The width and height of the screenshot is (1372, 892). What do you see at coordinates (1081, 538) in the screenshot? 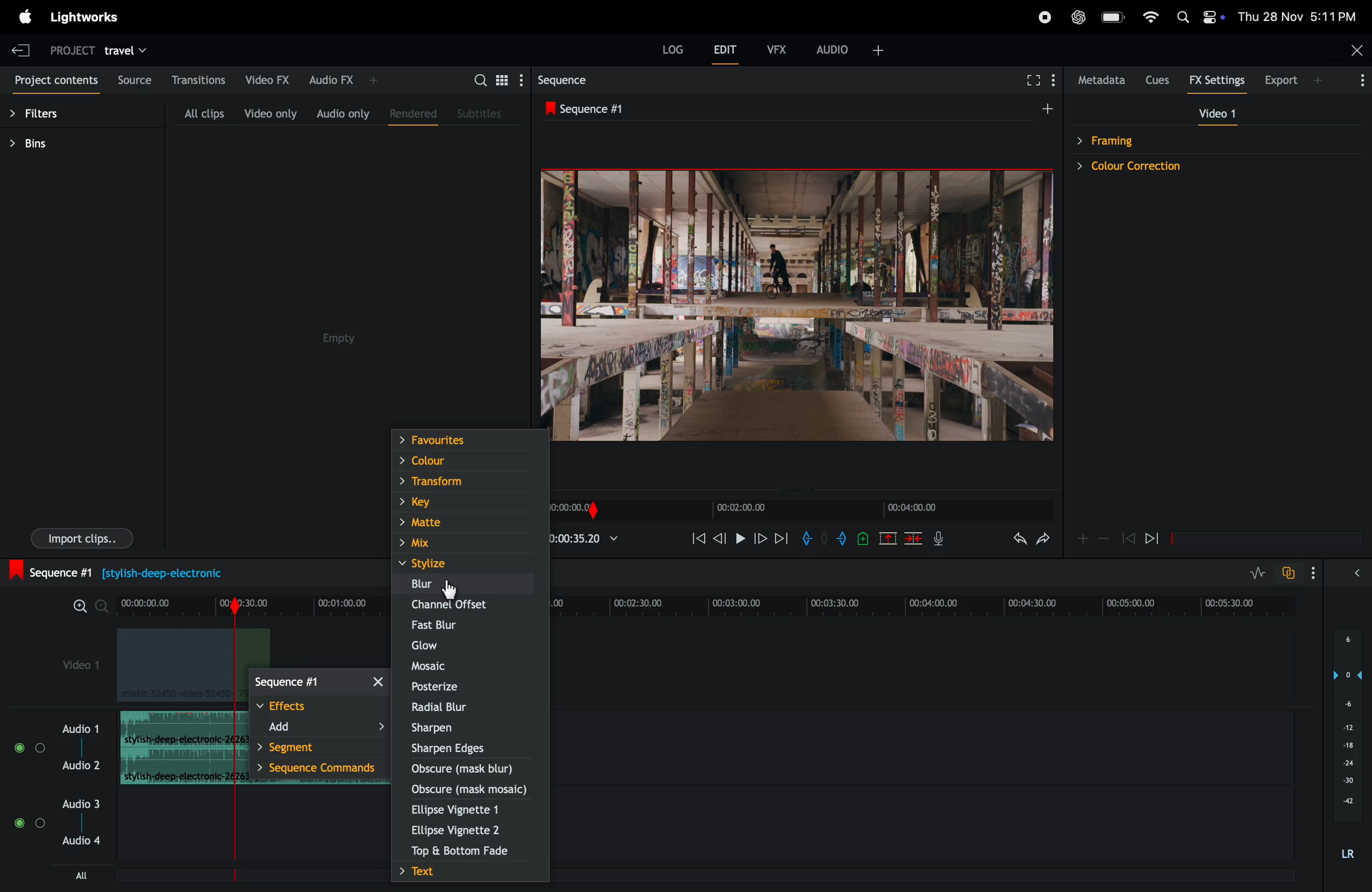
I see `add` at bounding box center [1081, 538].